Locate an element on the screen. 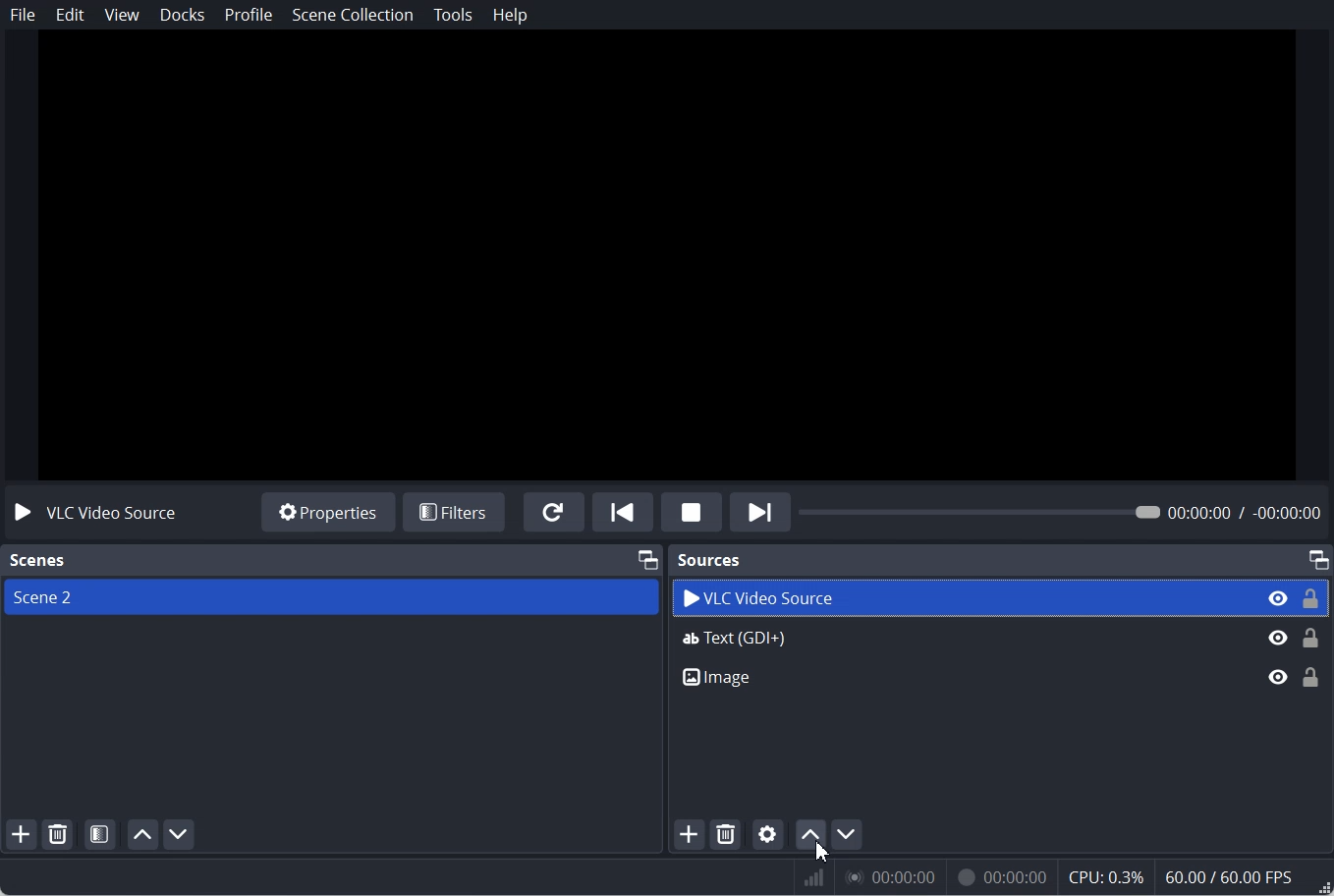 The width and height of the screenshot is (1334, 896). Move scene down is located at coordinates (180, 834).